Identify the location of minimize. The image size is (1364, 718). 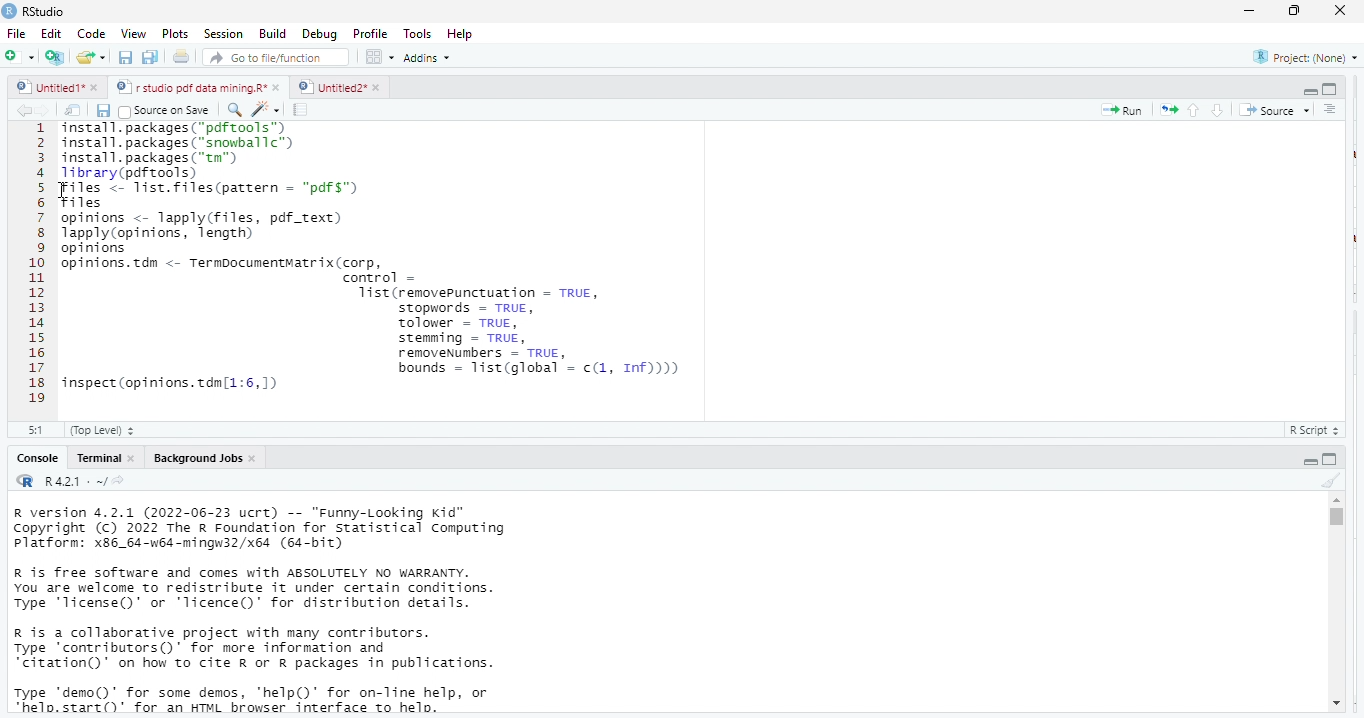
(1249, 10).